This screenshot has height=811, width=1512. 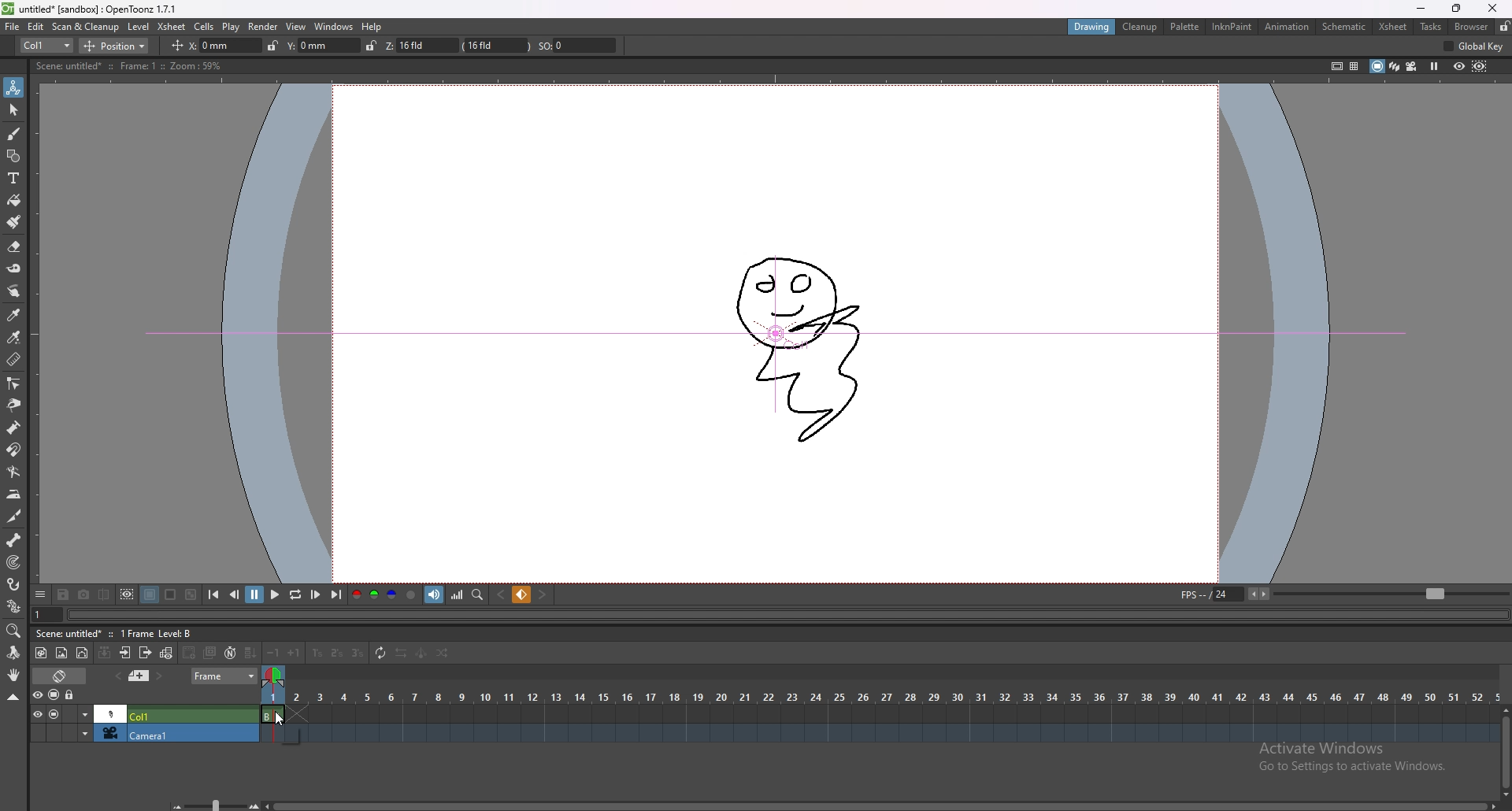 What do you see at coordinates (790, 615) in the screenshot?
I see `animation player` at bounding box center [790, 615].